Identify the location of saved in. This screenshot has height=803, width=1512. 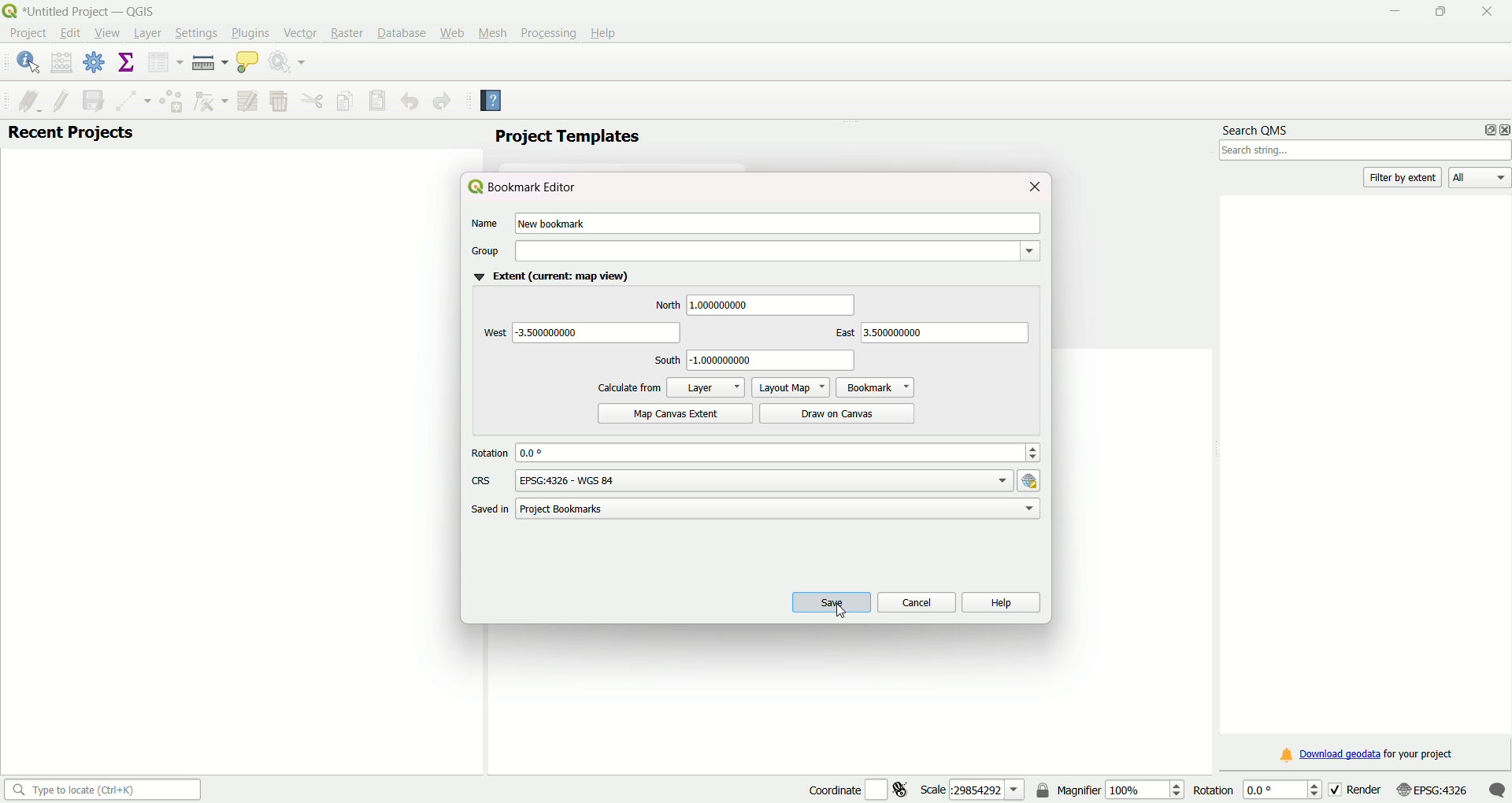
(487, 510).